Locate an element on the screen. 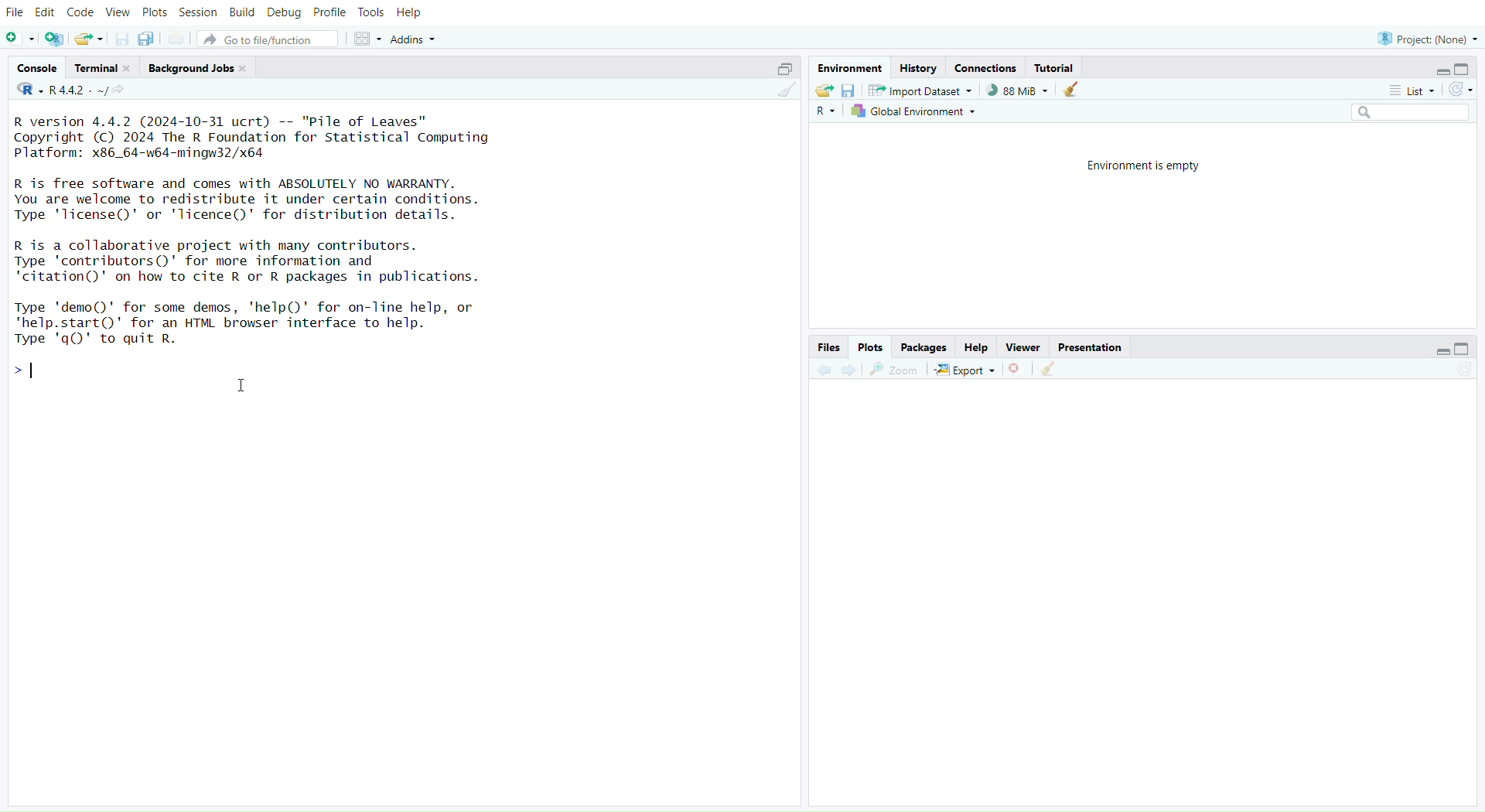  forward is located at coordinates (852, 370).